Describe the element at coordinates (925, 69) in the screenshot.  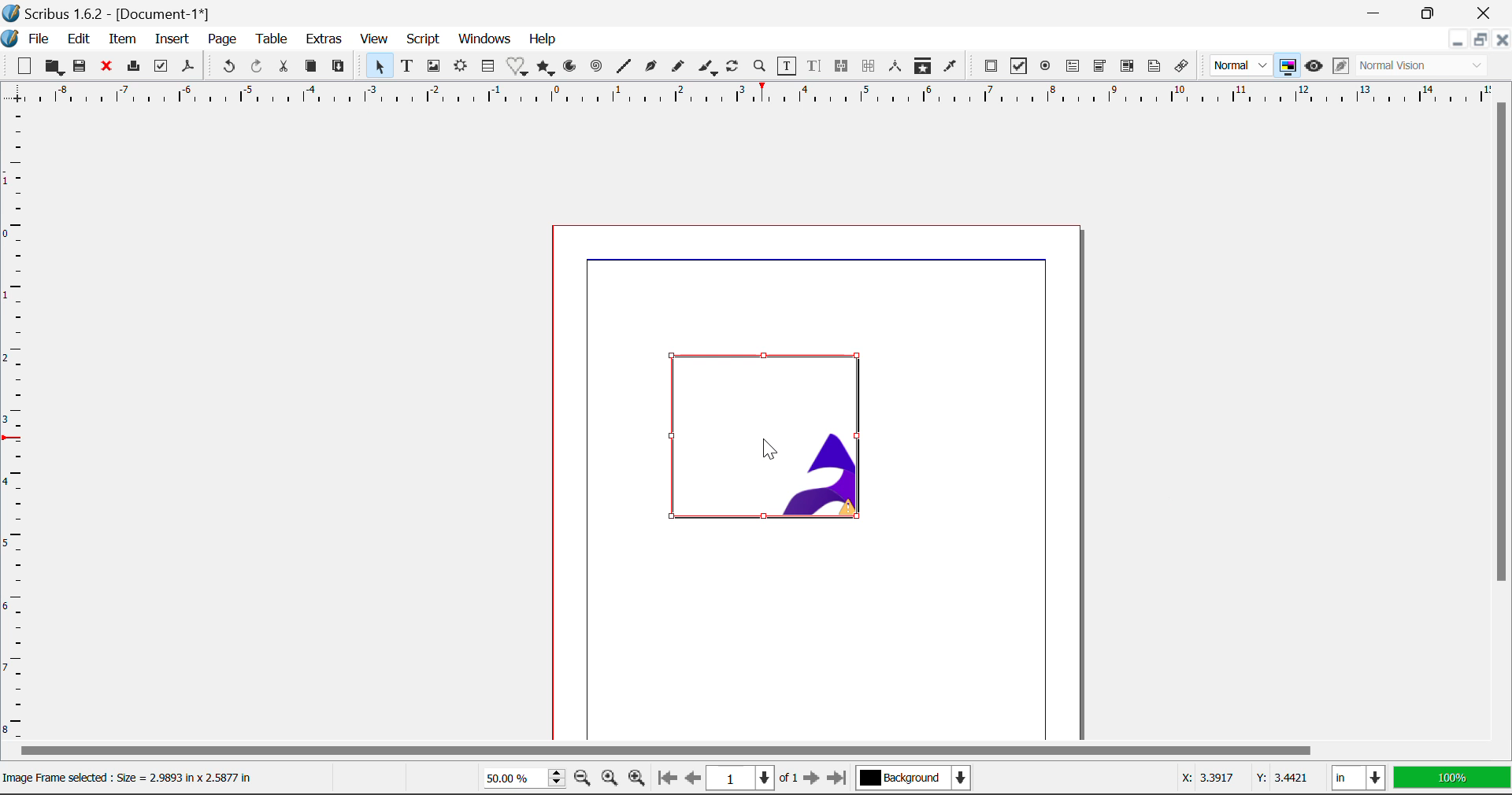
I see `Copy Item Properties` at that location.